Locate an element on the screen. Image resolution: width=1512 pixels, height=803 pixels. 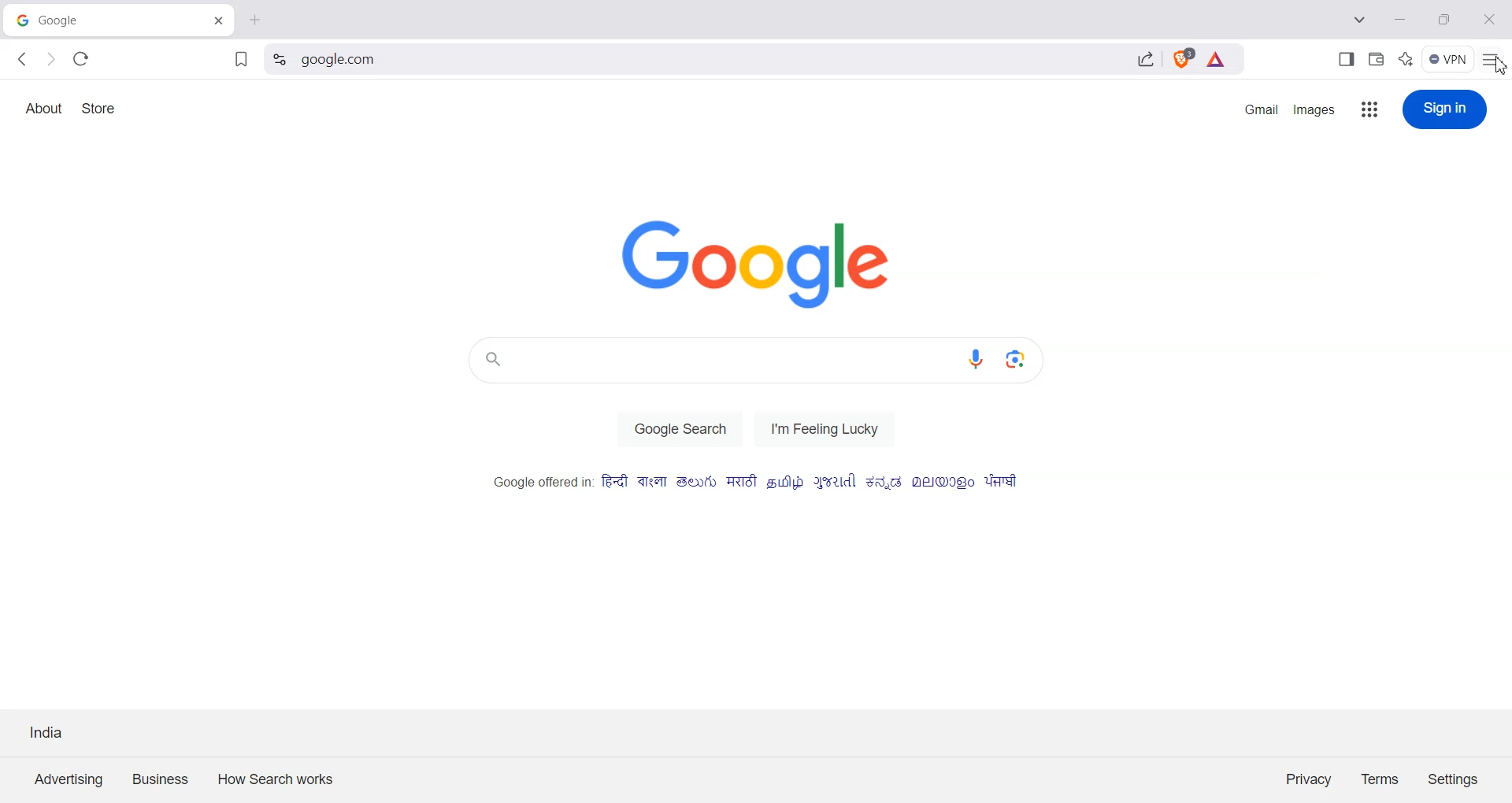
Leo Ai is located at coordinates (1406, 57).